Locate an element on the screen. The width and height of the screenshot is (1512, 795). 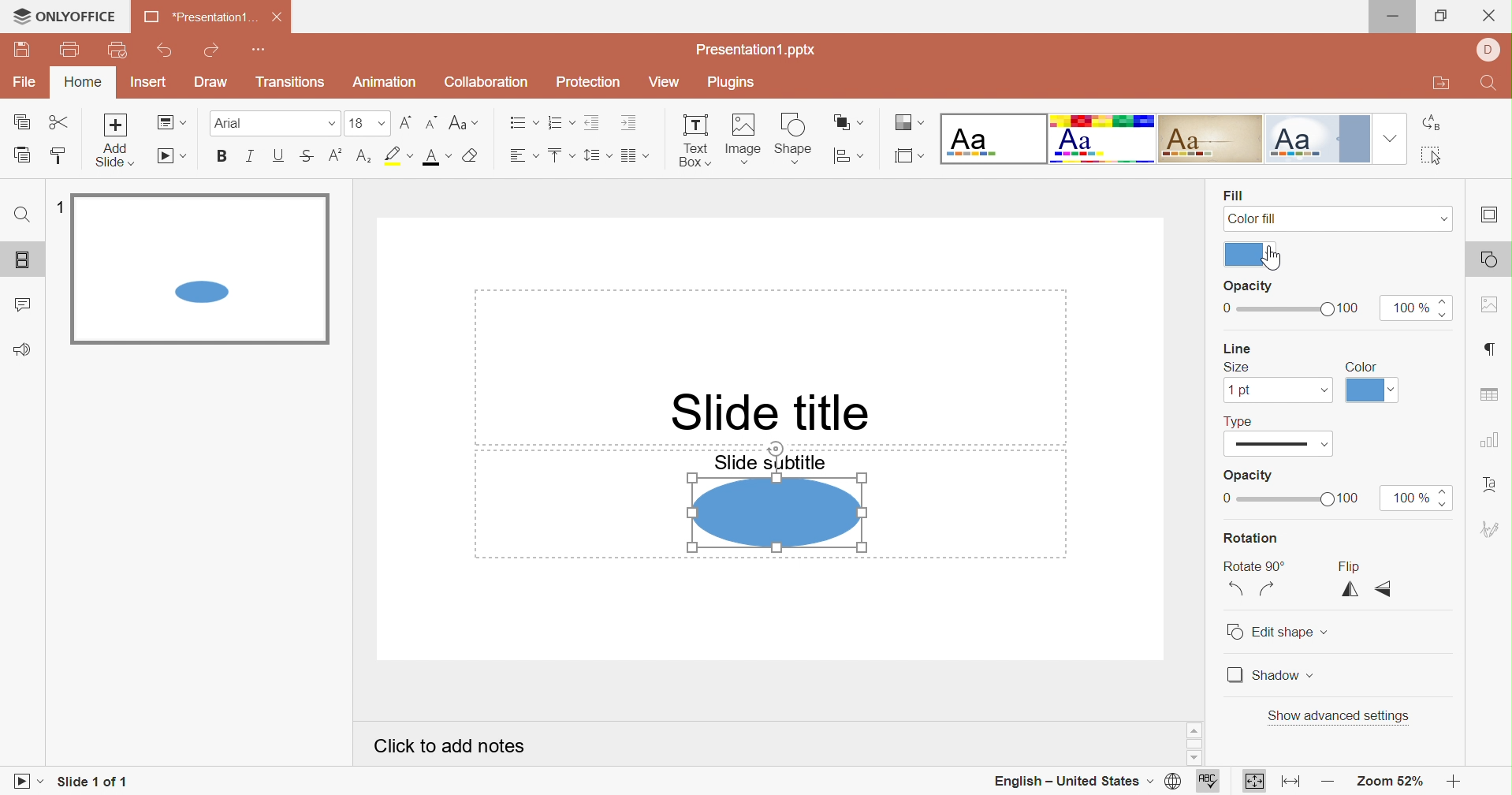
Customize Quick Access Toolbar is located at coordinates (261, 52).